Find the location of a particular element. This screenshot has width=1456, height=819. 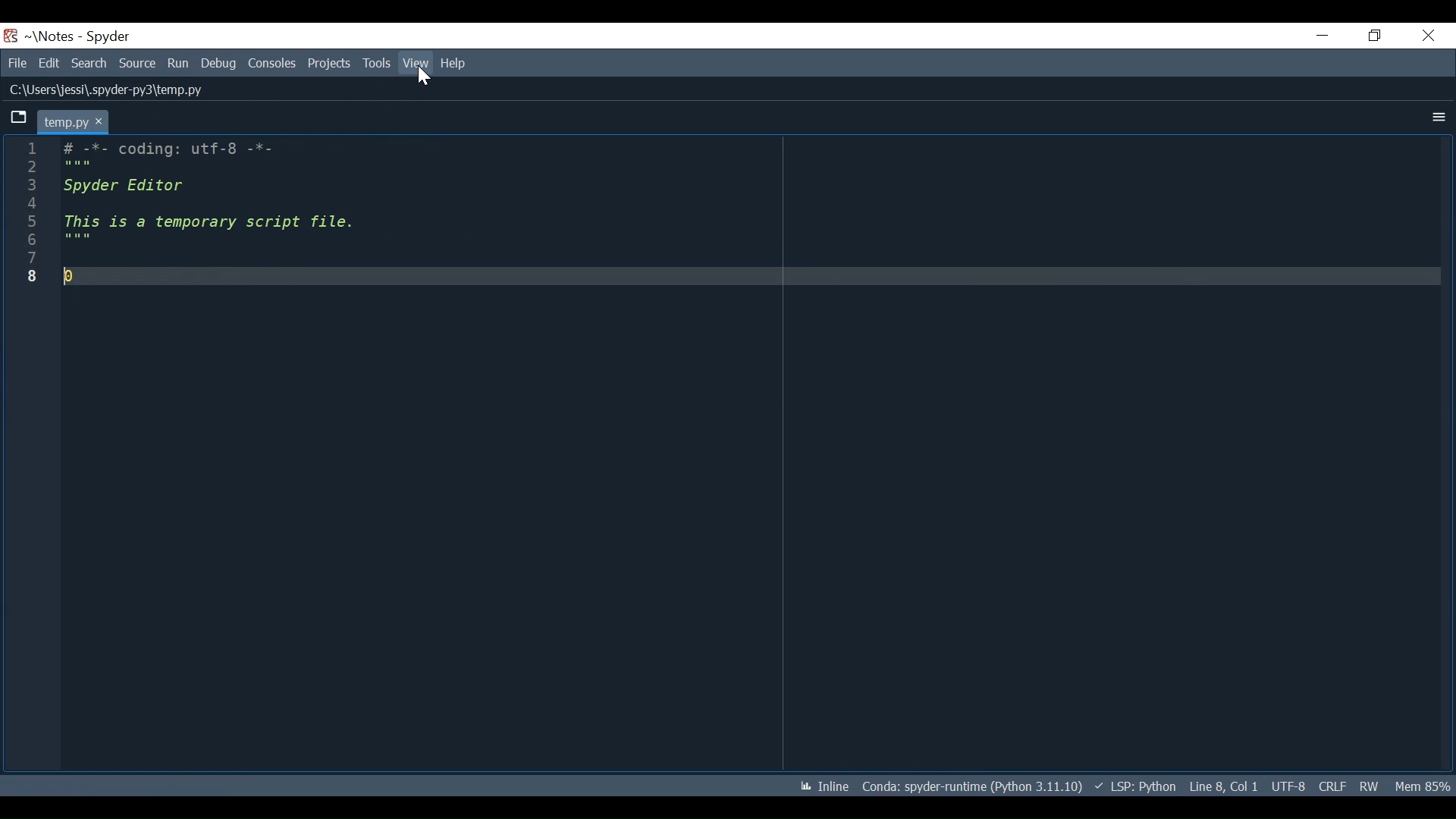

) v LSP: Python is located at coordinates (1136, 786).